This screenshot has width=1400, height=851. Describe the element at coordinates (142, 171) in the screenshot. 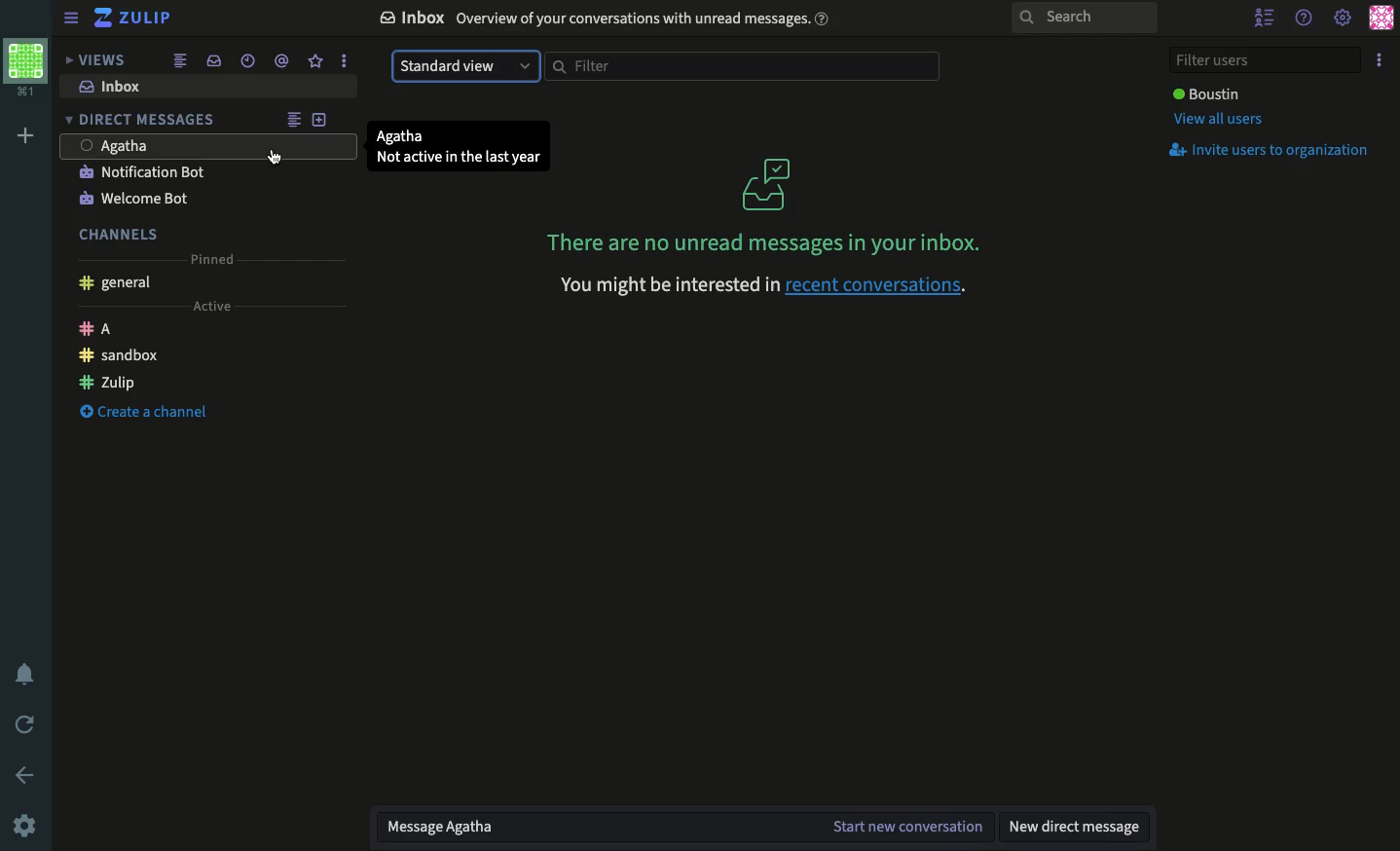

I see `Notification ` at that location.